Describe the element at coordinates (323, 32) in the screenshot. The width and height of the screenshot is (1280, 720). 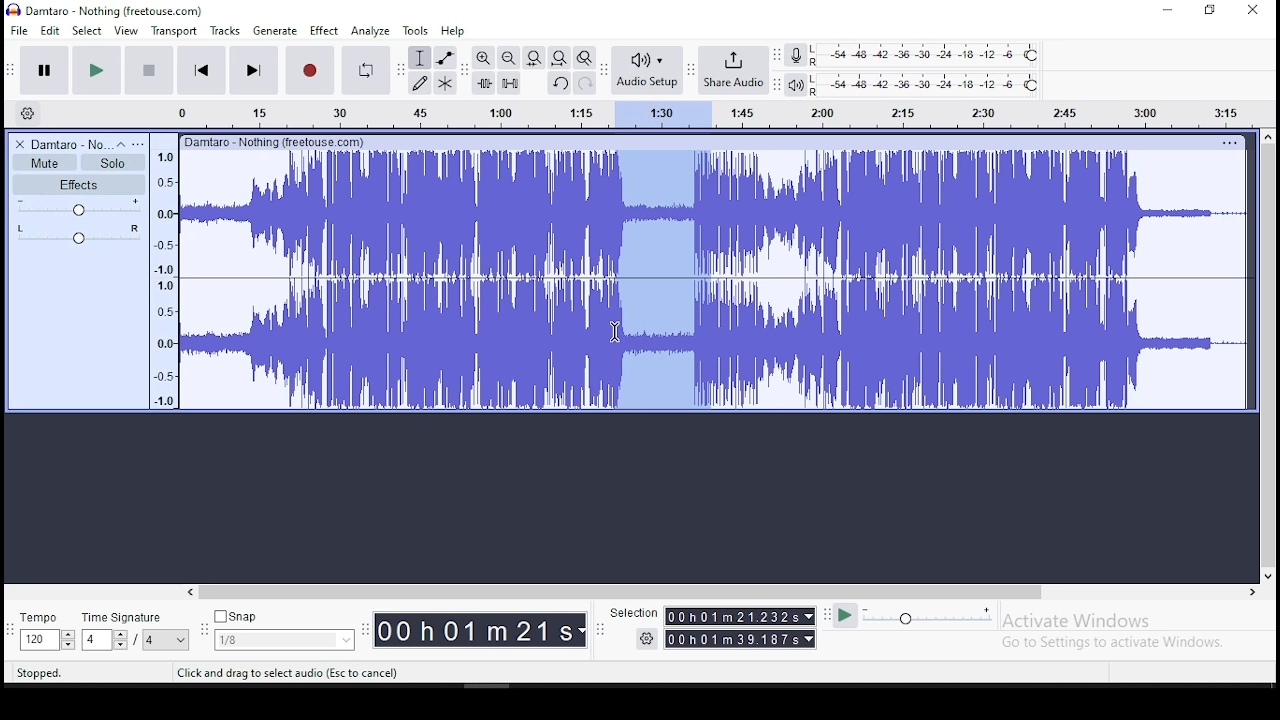
I see `effect` at that location.